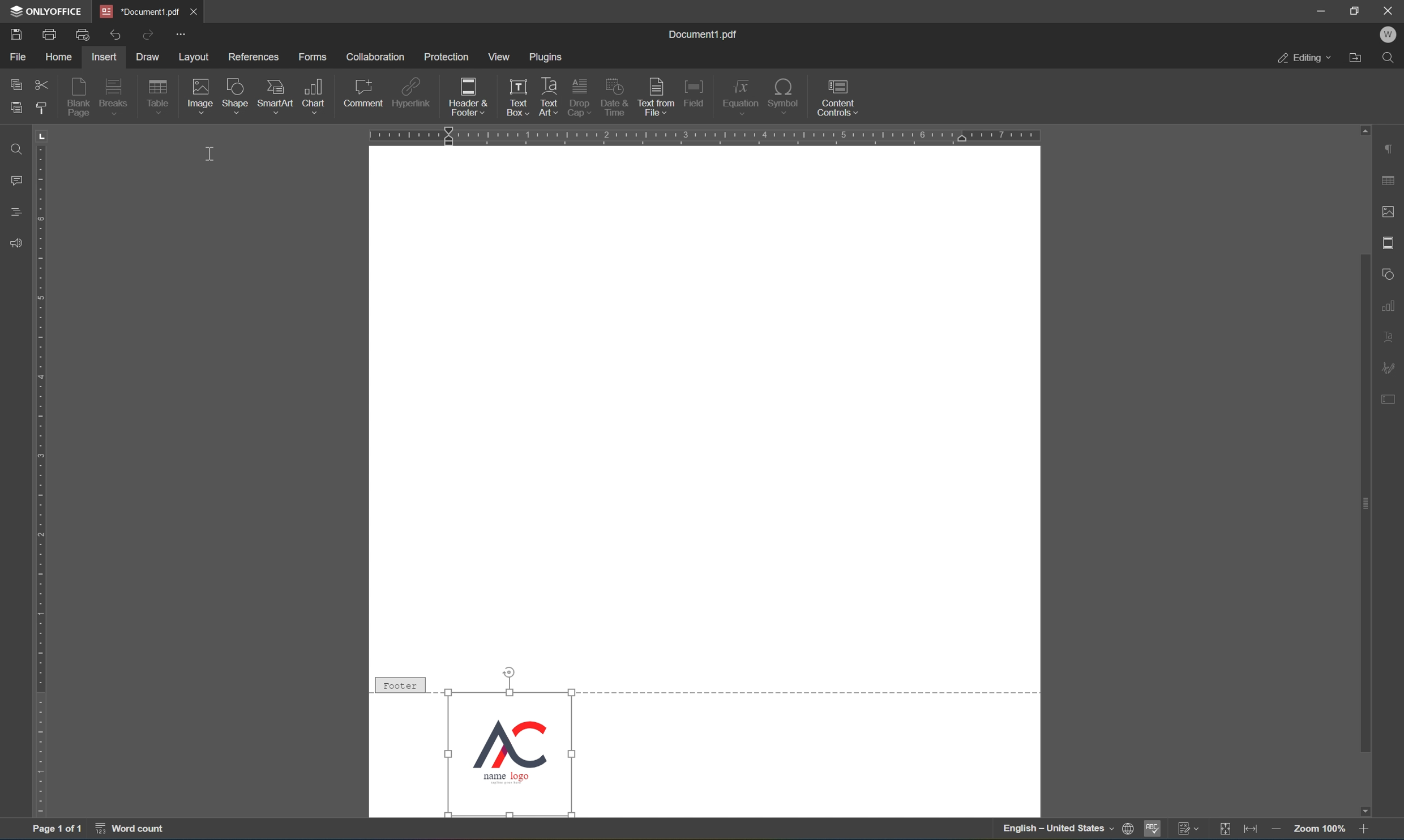 This screenshot has width=1404, height=840. What do you see at coordinates (1275, 829) in the screenshot?
I see `zoom out` at bounding box center [1275, 829].